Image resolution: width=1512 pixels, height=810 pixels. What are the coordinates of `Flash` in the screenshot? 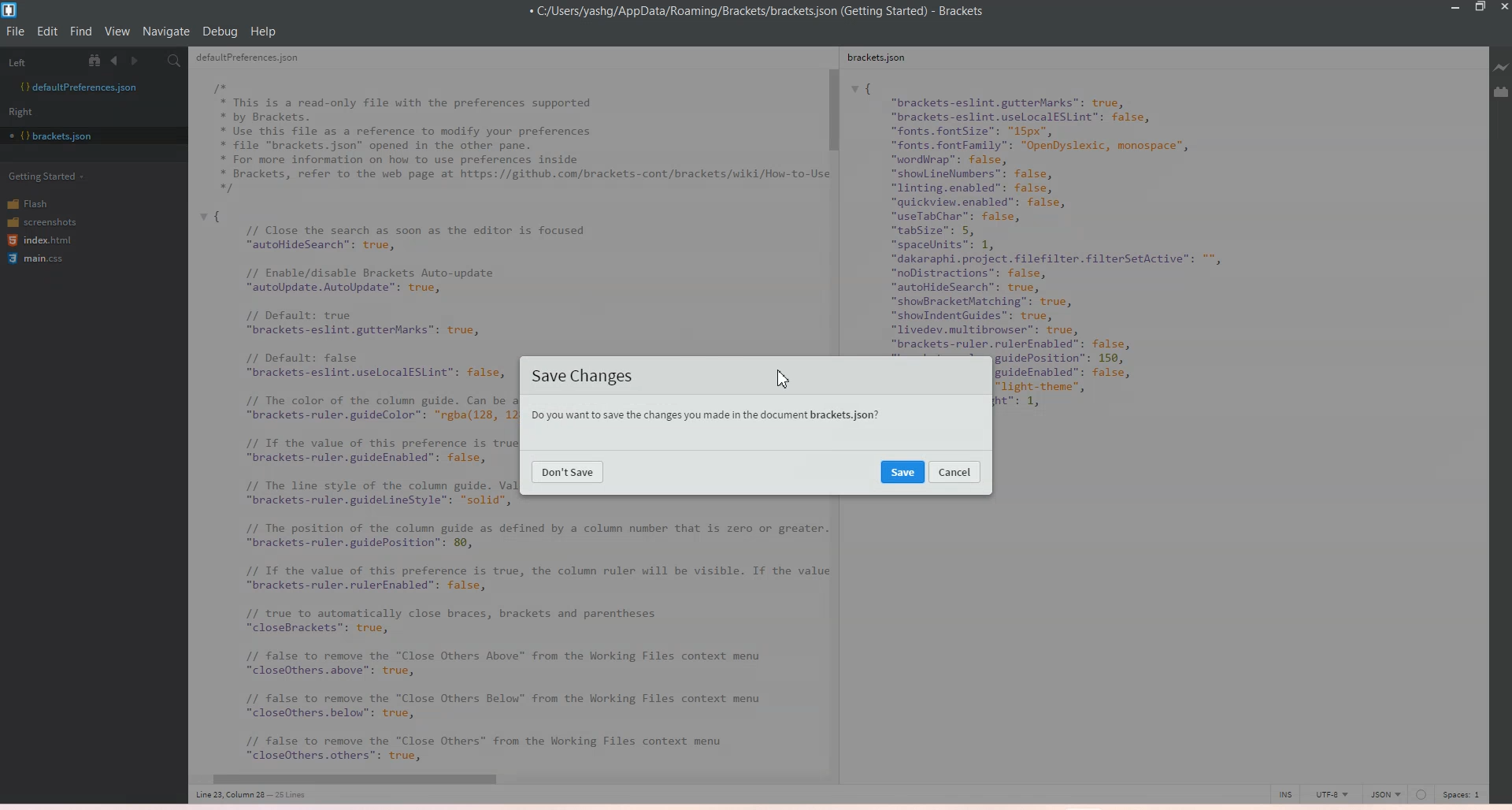 It's located at (39, 202).